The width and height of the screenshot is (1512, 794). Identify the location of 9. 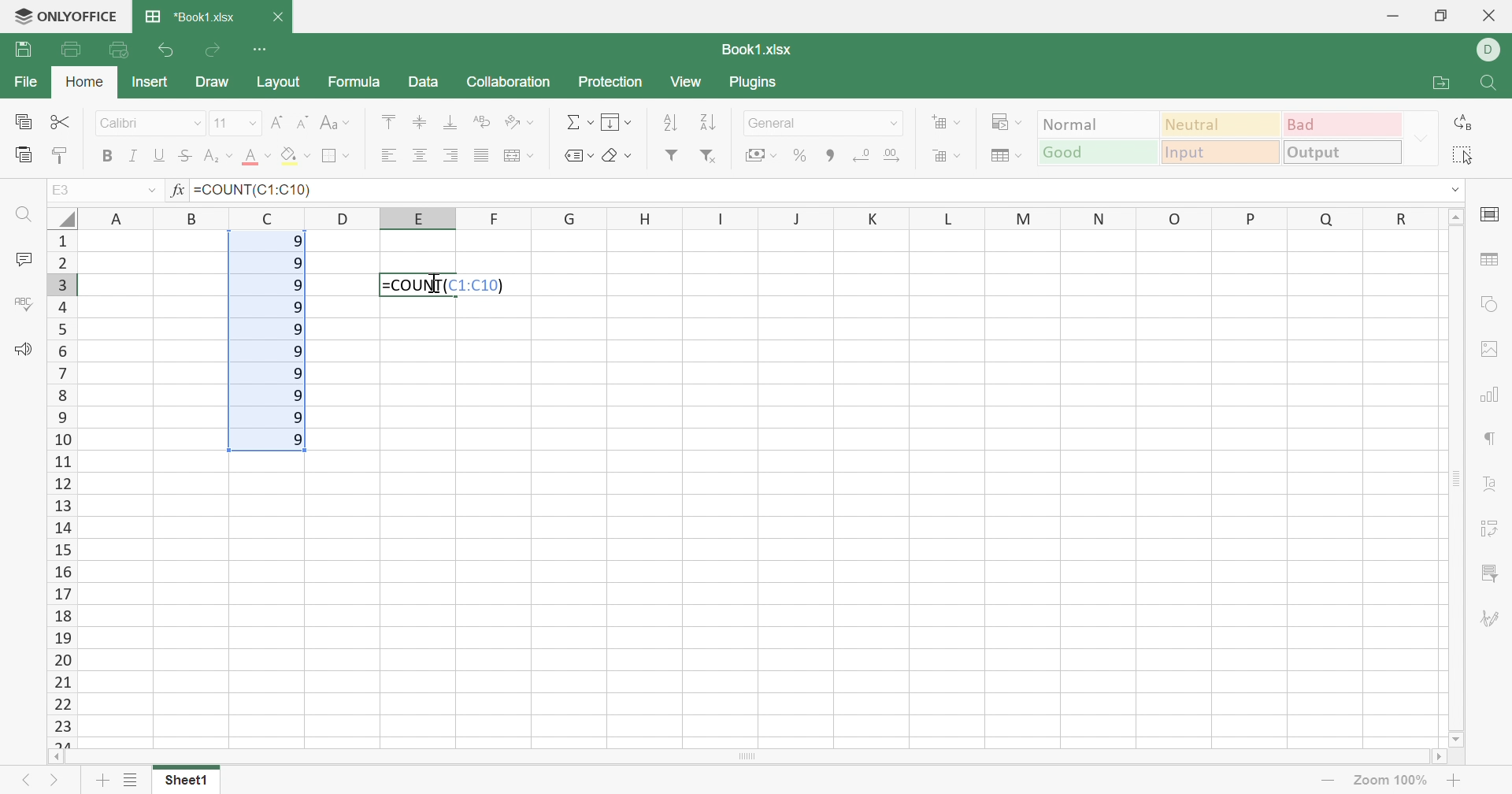
(296, 240).